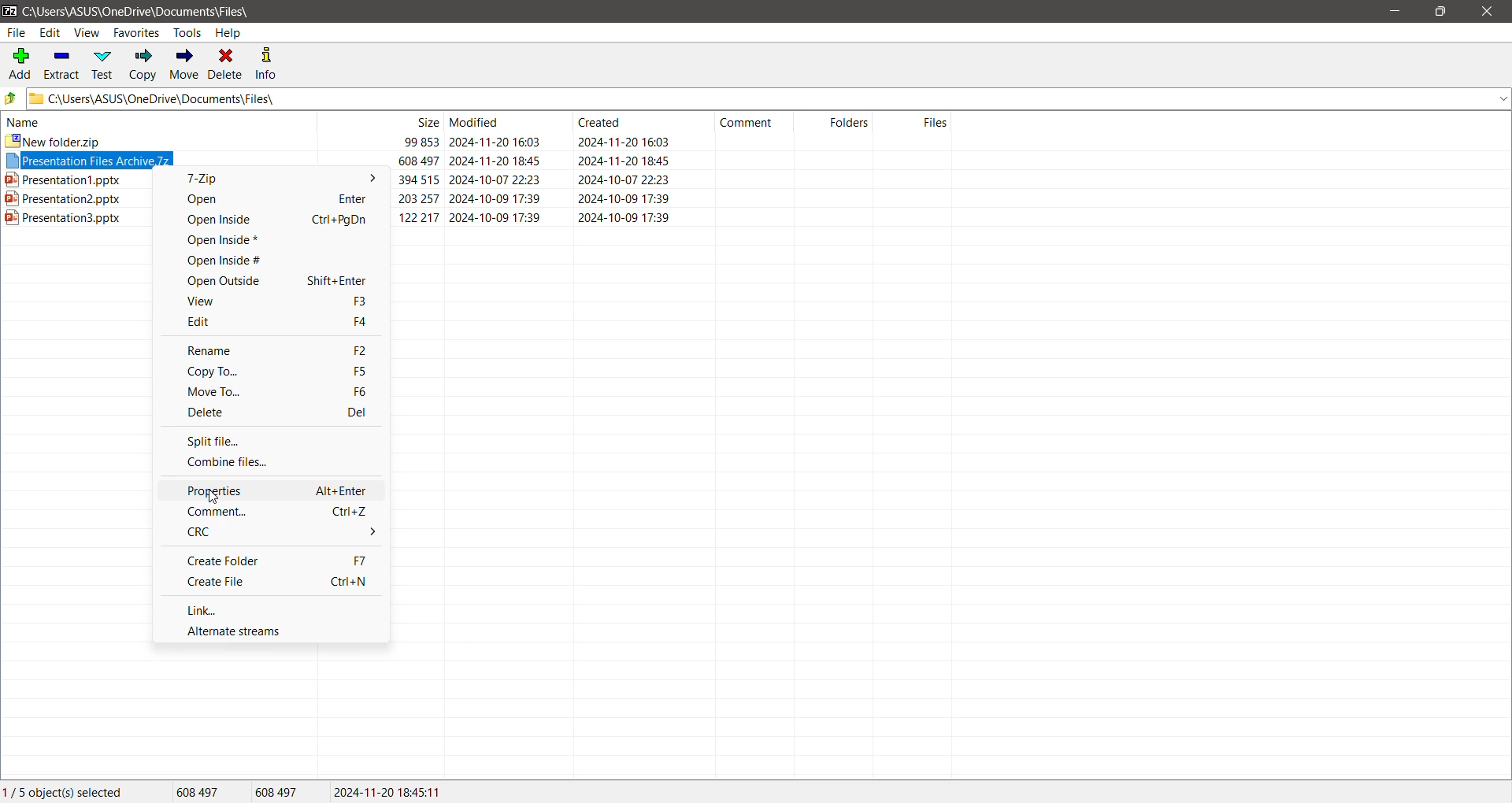 This screenshot has width=1512, height=803. Describe the element at coordinates (679, 179) in the screenshot. I see `ppt1` at that location.